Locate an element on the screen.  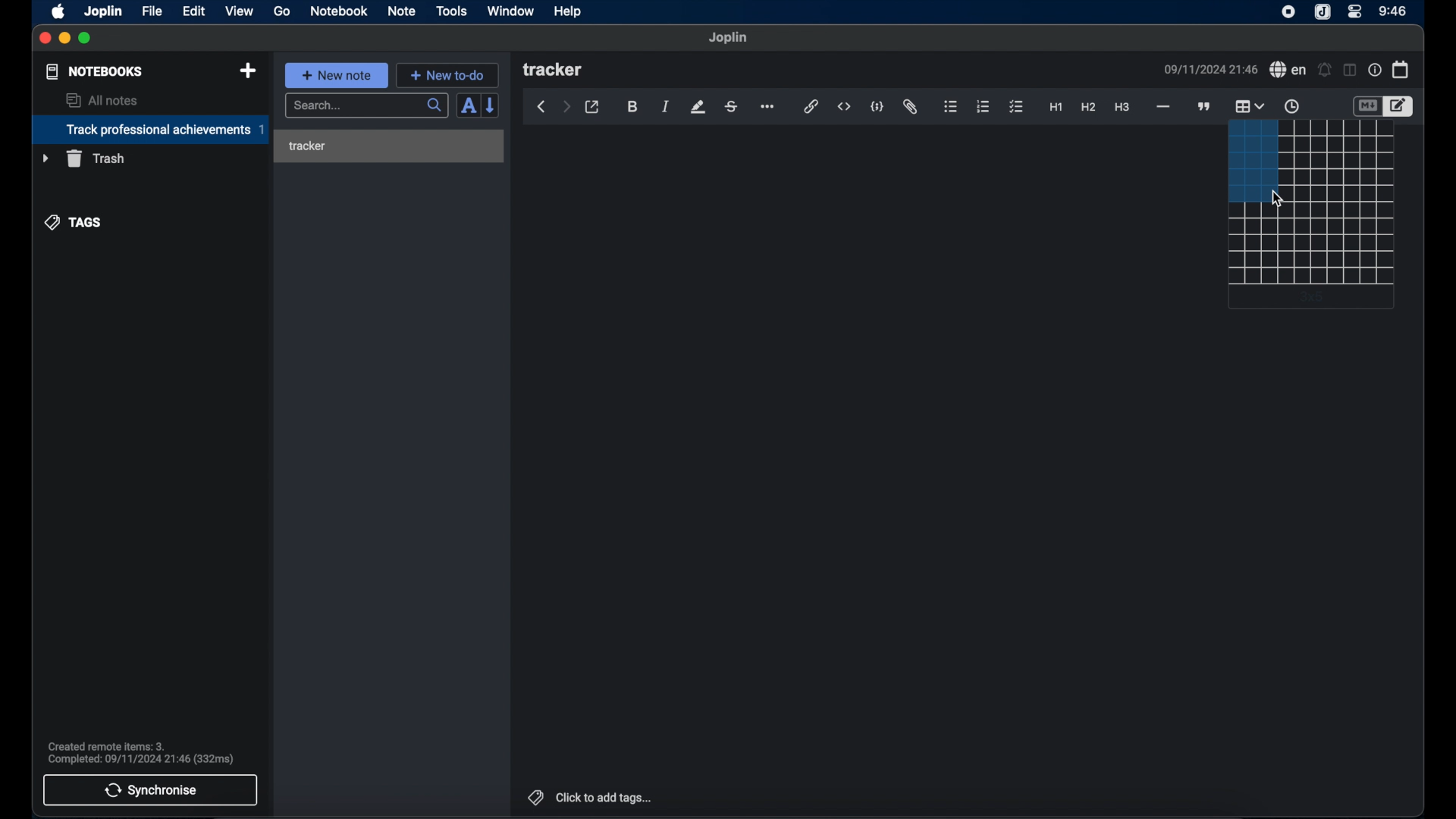
go is located at coordinates (283, 11).